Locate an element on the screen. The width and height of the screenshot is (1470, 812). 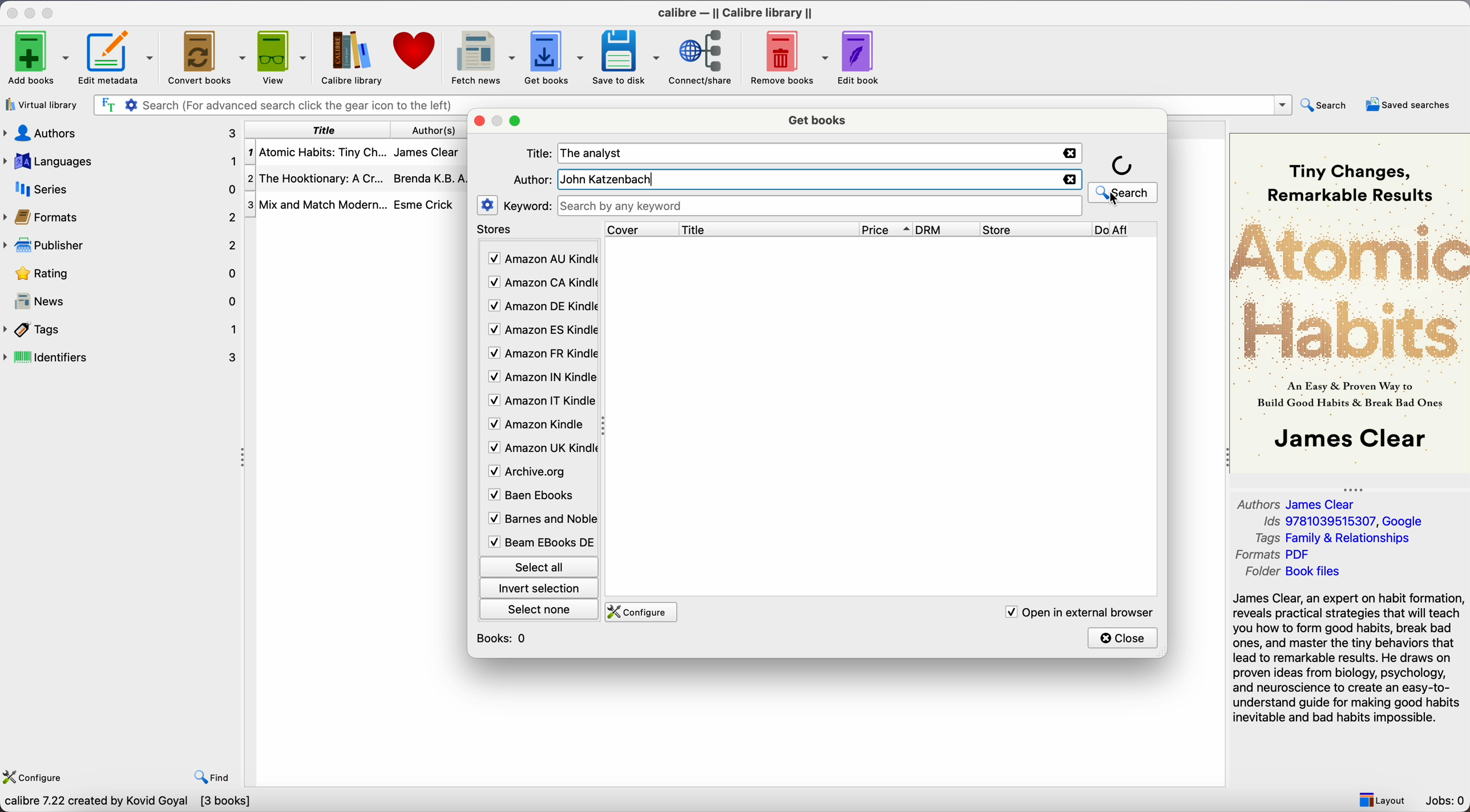
books: 0 is located at coordinates (504, 638).